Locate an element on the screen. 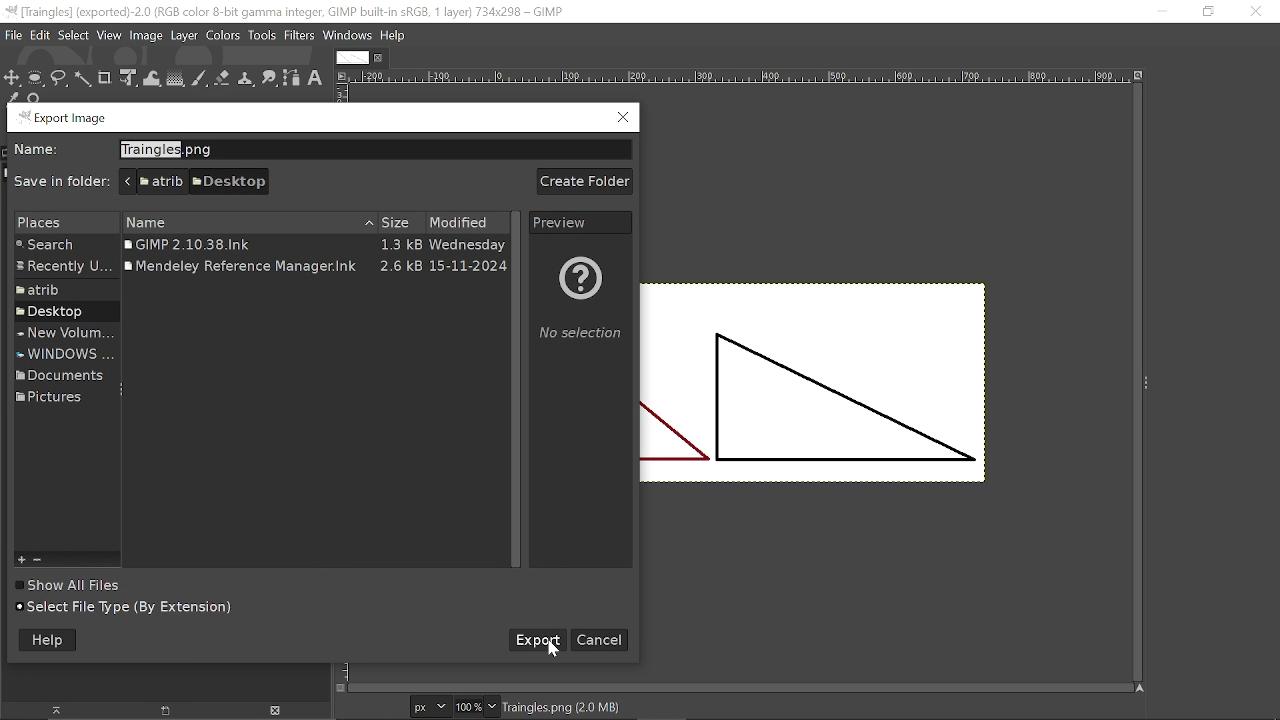 Image resolution: width=1280 pixels, height=720 pixels. Ellipse select tool is located at coordinates (36, 79).